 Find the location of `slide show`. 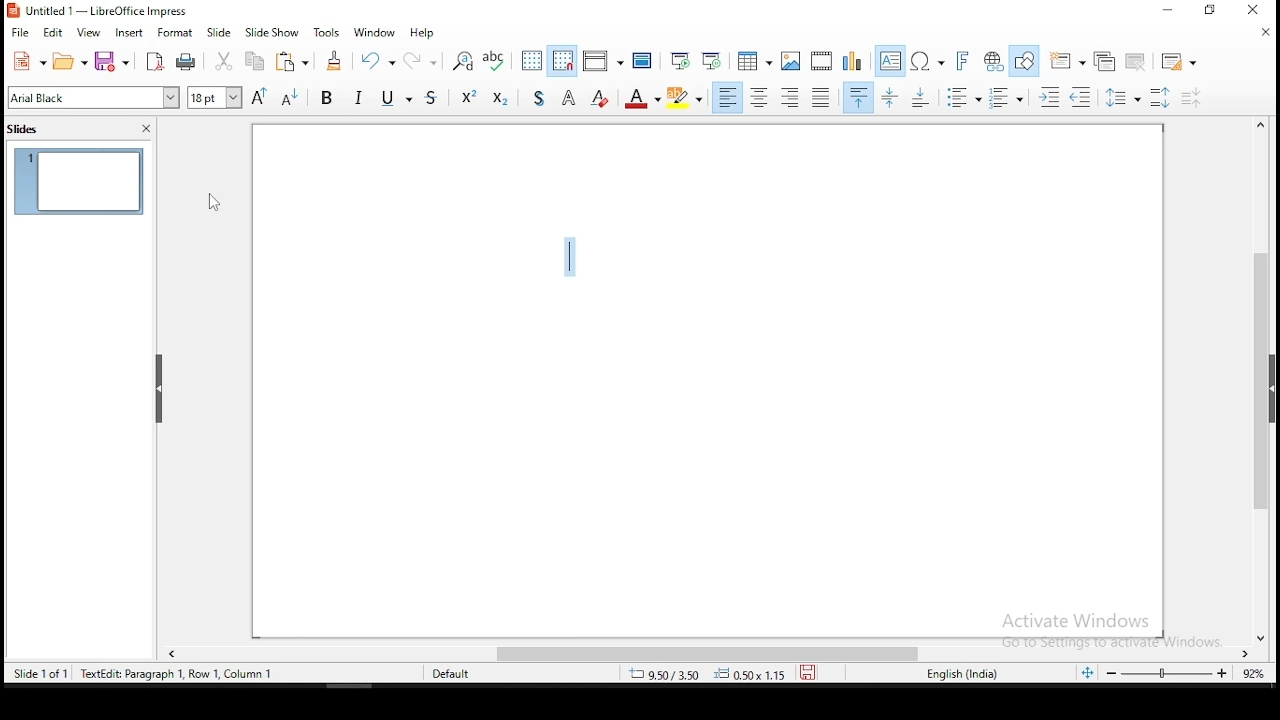

slide show is located at coordinates (271, 33).